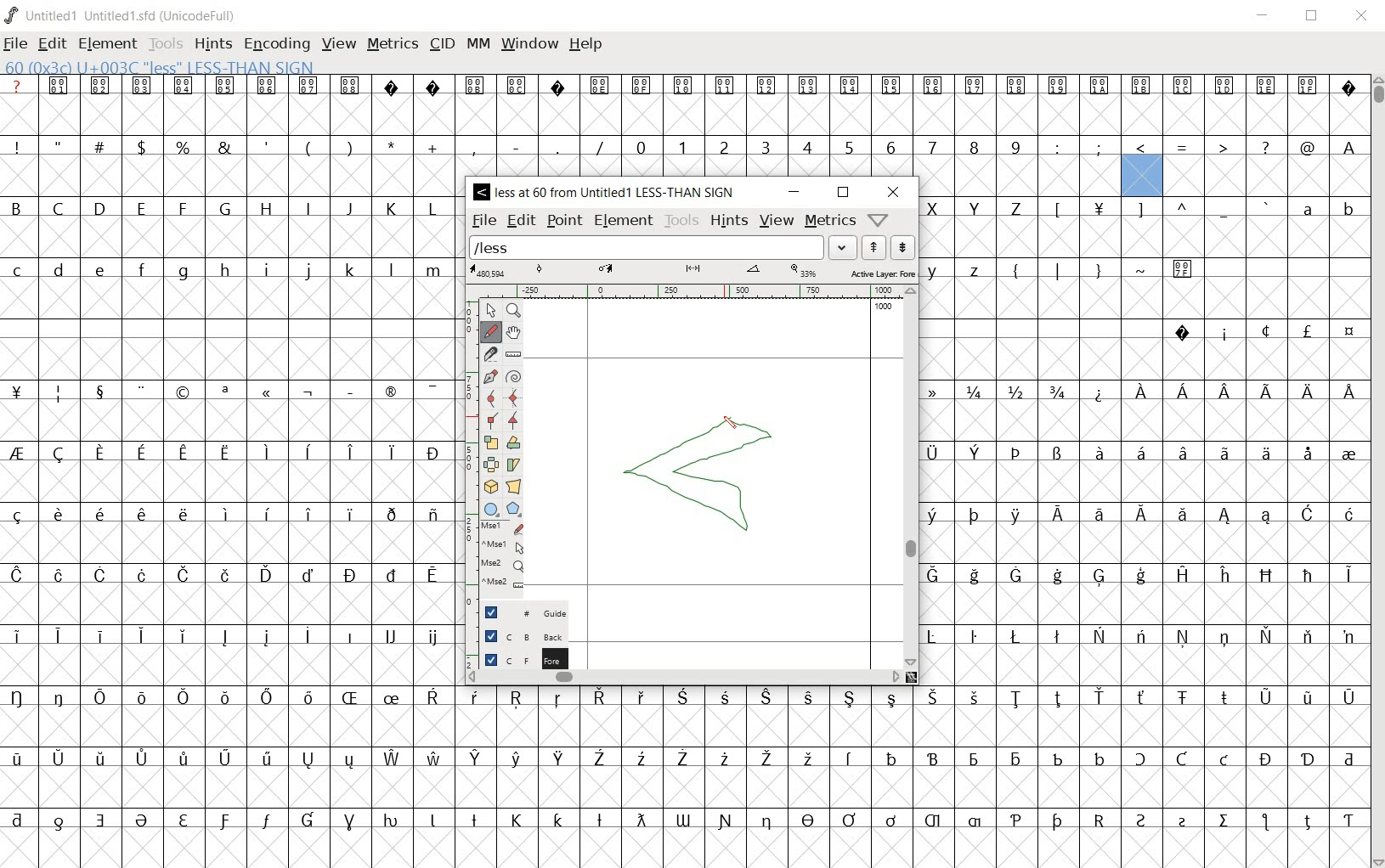 Image resolution: width=1385 pixels, height=868 pixels. What do you see at coordinates (911, 476) in the screenshot?
I see `scrollbar` at bounding box center [911, 476].